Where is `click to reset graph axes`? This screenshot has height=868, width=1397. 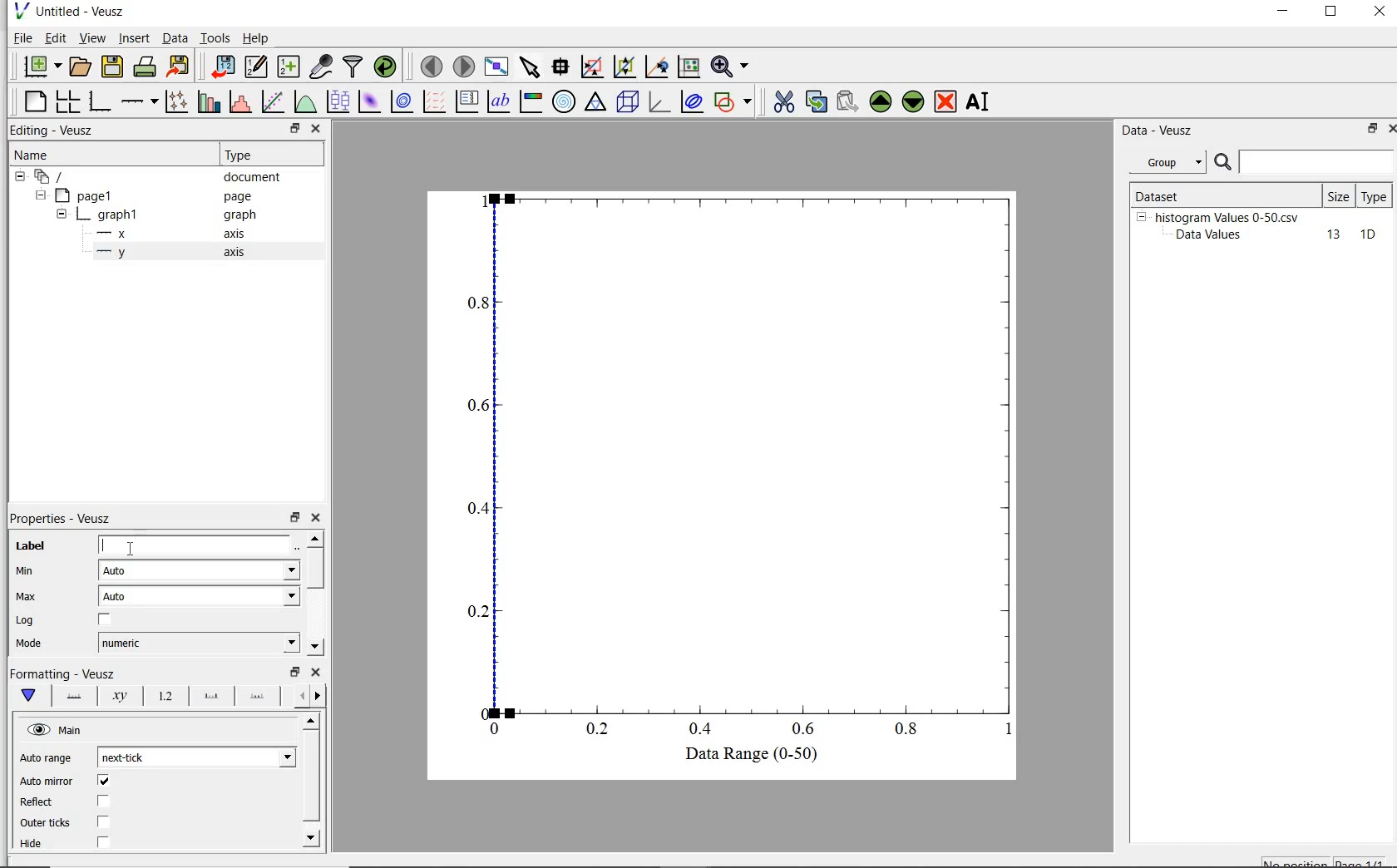 click to reset graph axes is located at coordinates (591, 67).